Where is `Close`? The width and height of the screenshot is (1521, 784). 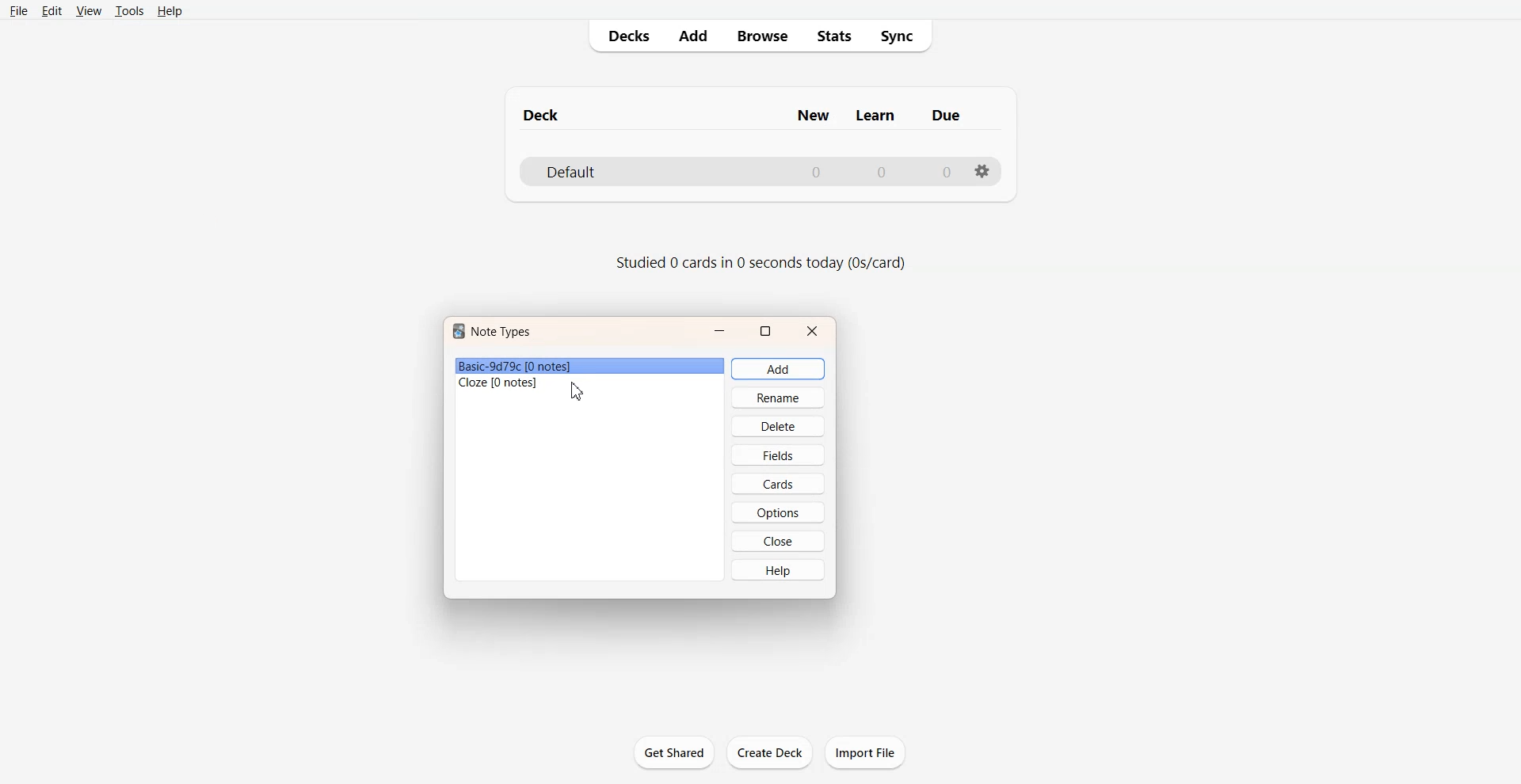 Close is located at coordinates (778, 540).